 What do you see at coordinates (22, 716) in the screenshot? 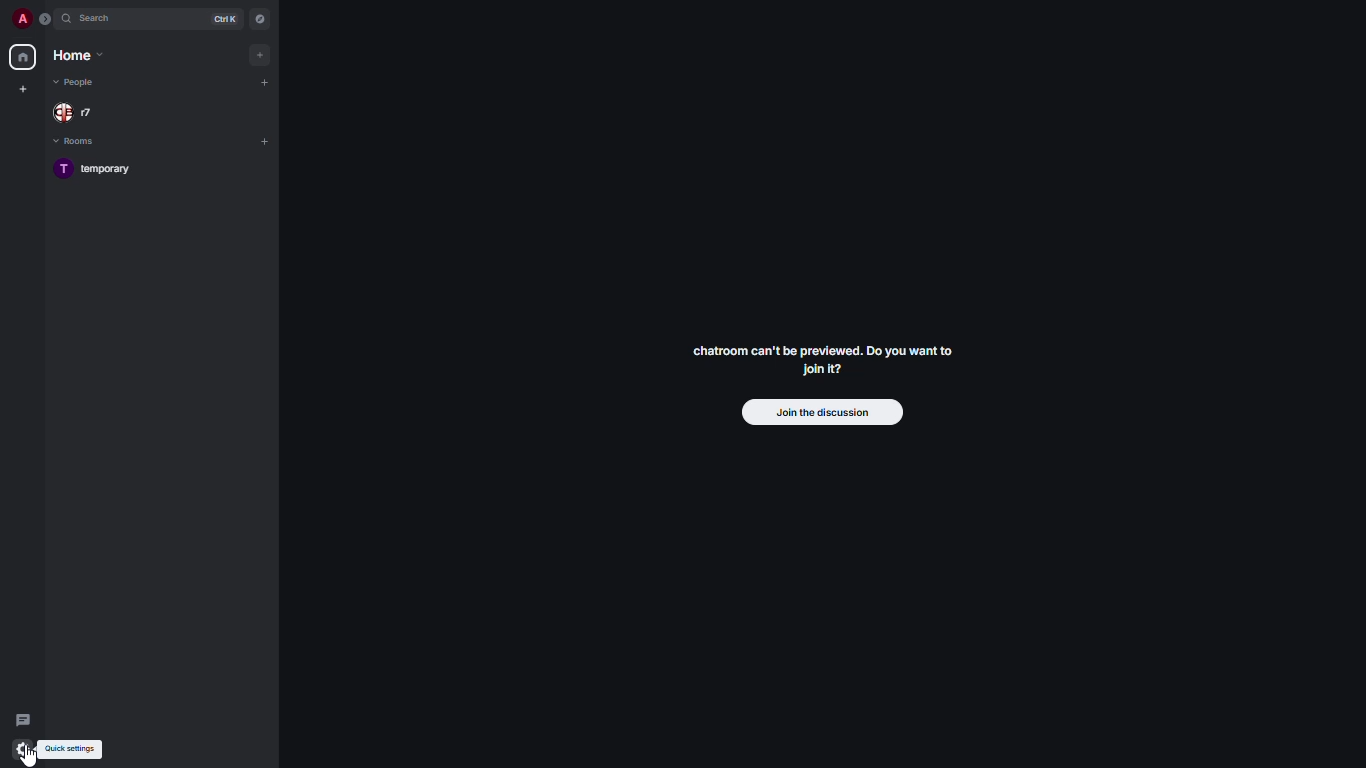
I see `threads` at bounding box center [22, 716].